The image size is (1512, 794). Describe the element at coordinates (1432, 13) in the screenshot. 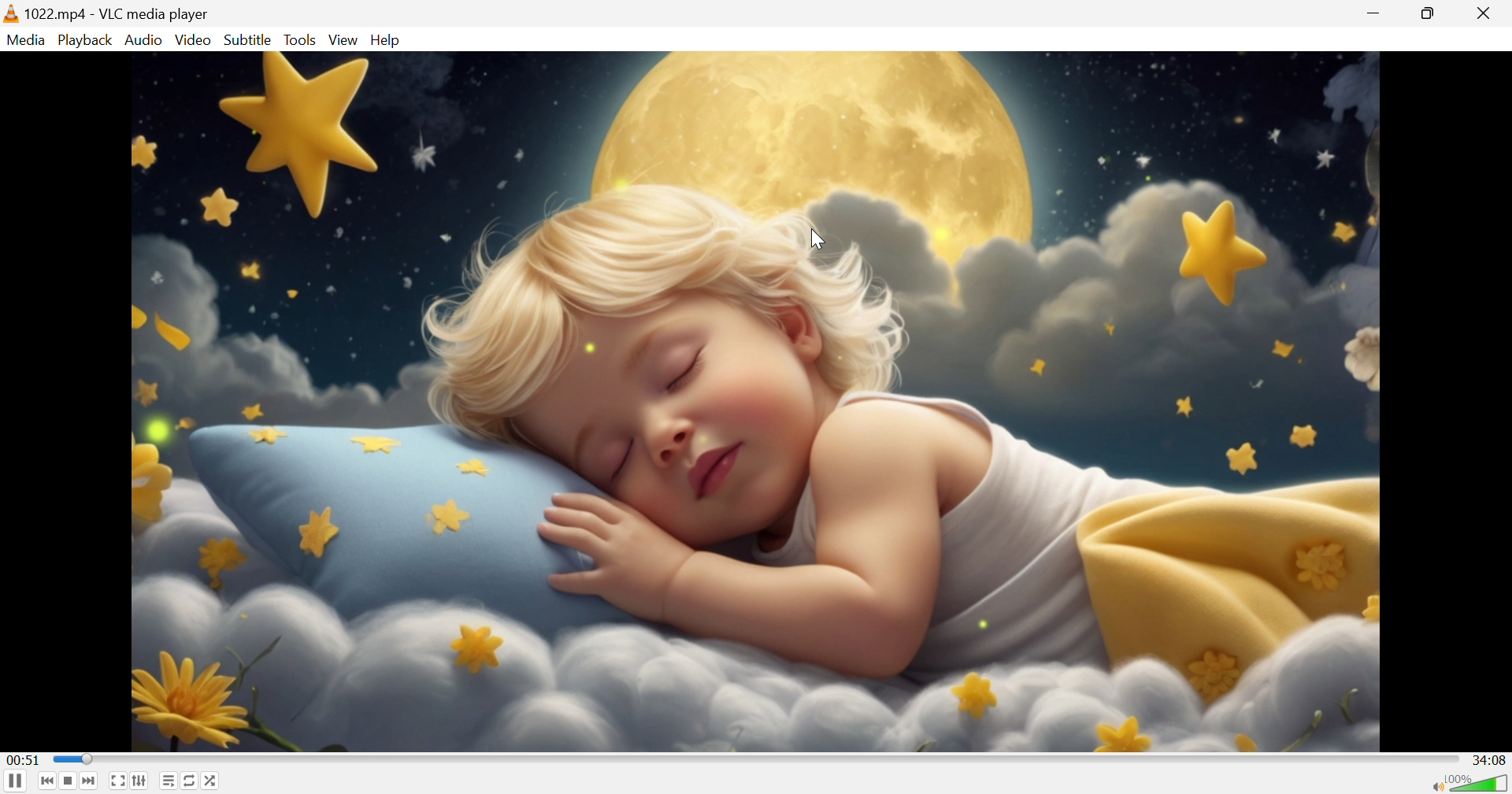

I see `Restore down` at that location.